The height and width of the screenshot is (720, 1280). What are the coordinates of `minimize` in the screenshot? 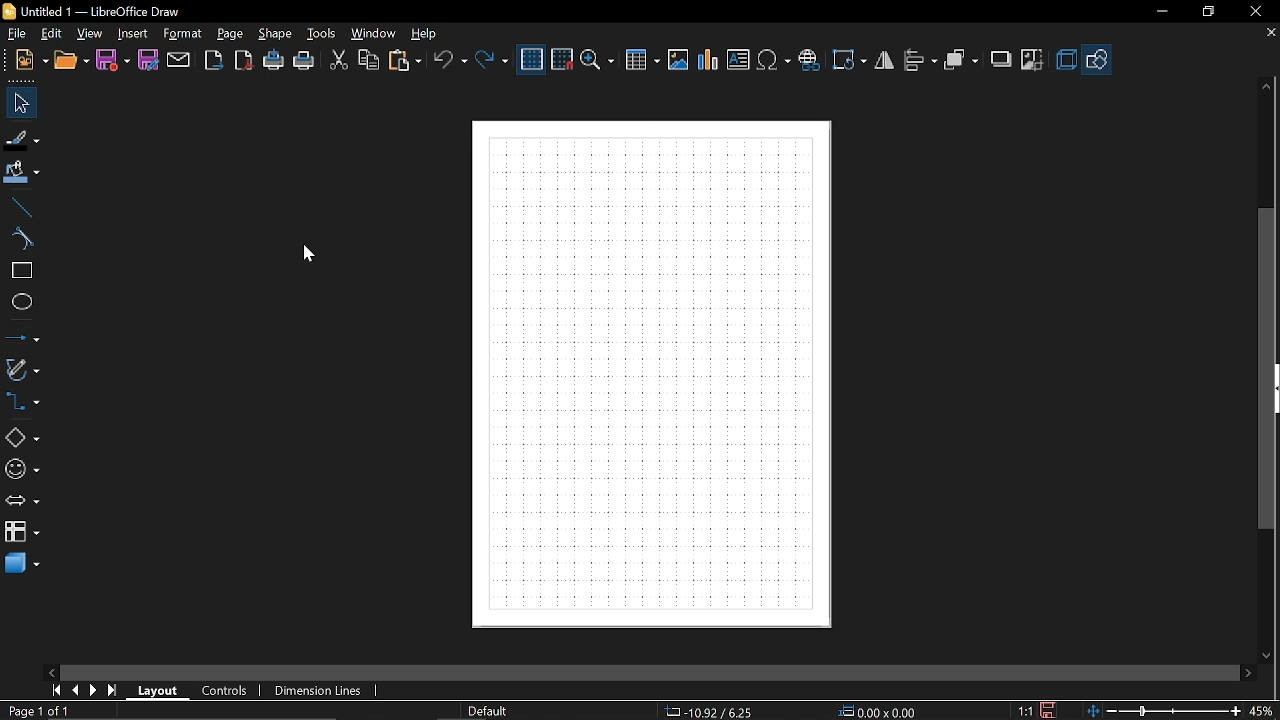 It's located at (1160, 12).